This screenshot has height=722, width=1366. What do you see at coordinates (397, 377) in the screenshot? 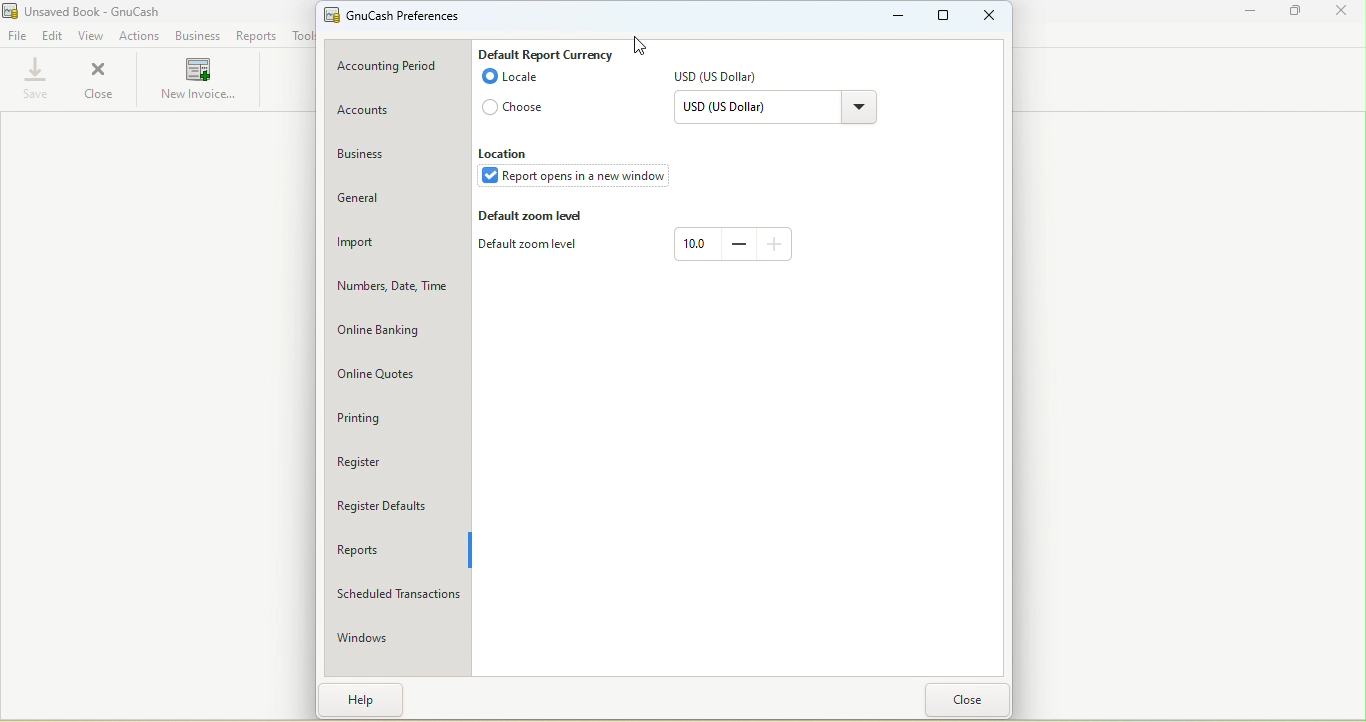
I see `Online quotes` at bounding box center [397, 377].